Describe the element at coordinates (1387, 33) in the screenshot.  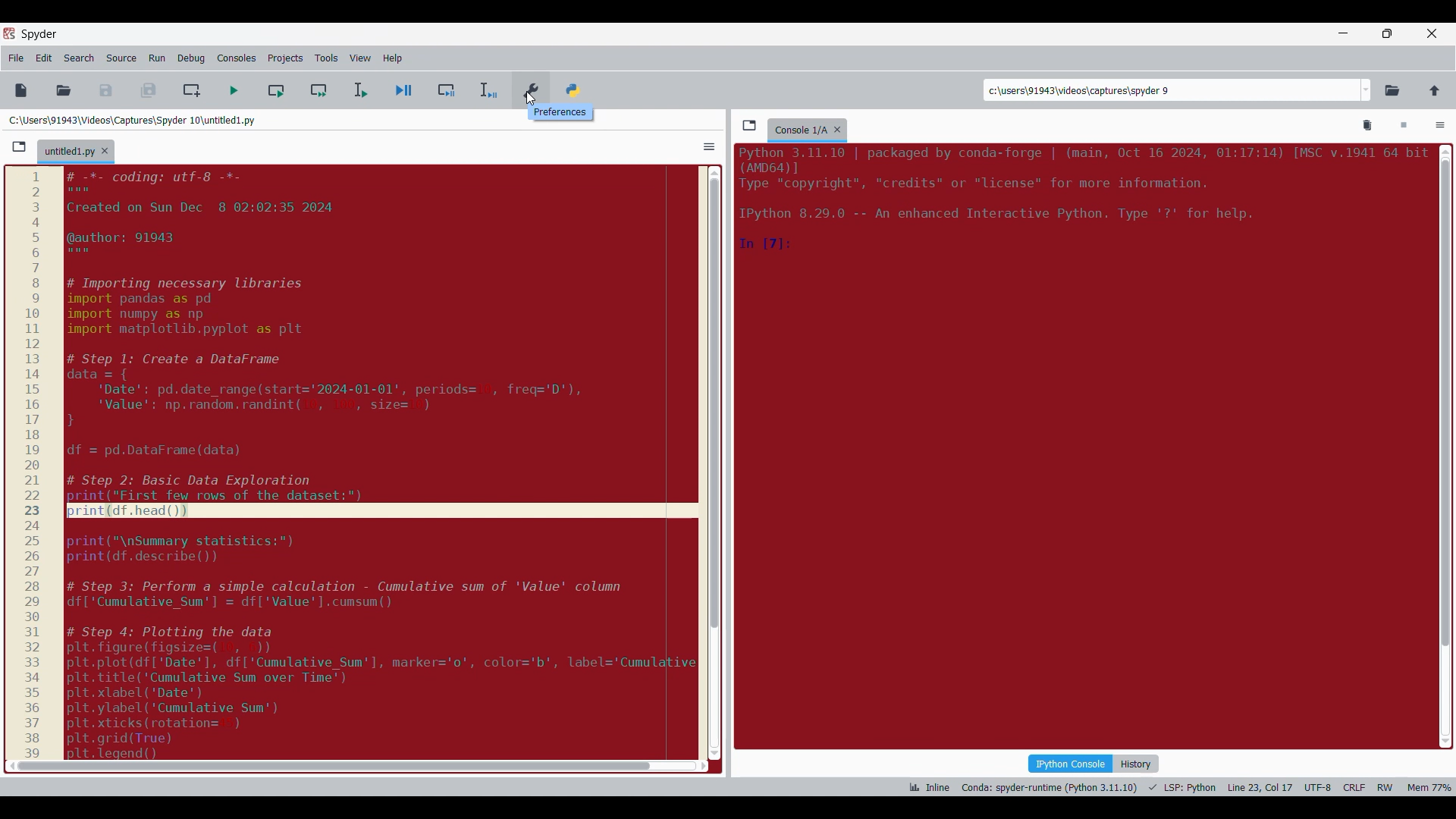
I see `Show in smaller tab` at that location.